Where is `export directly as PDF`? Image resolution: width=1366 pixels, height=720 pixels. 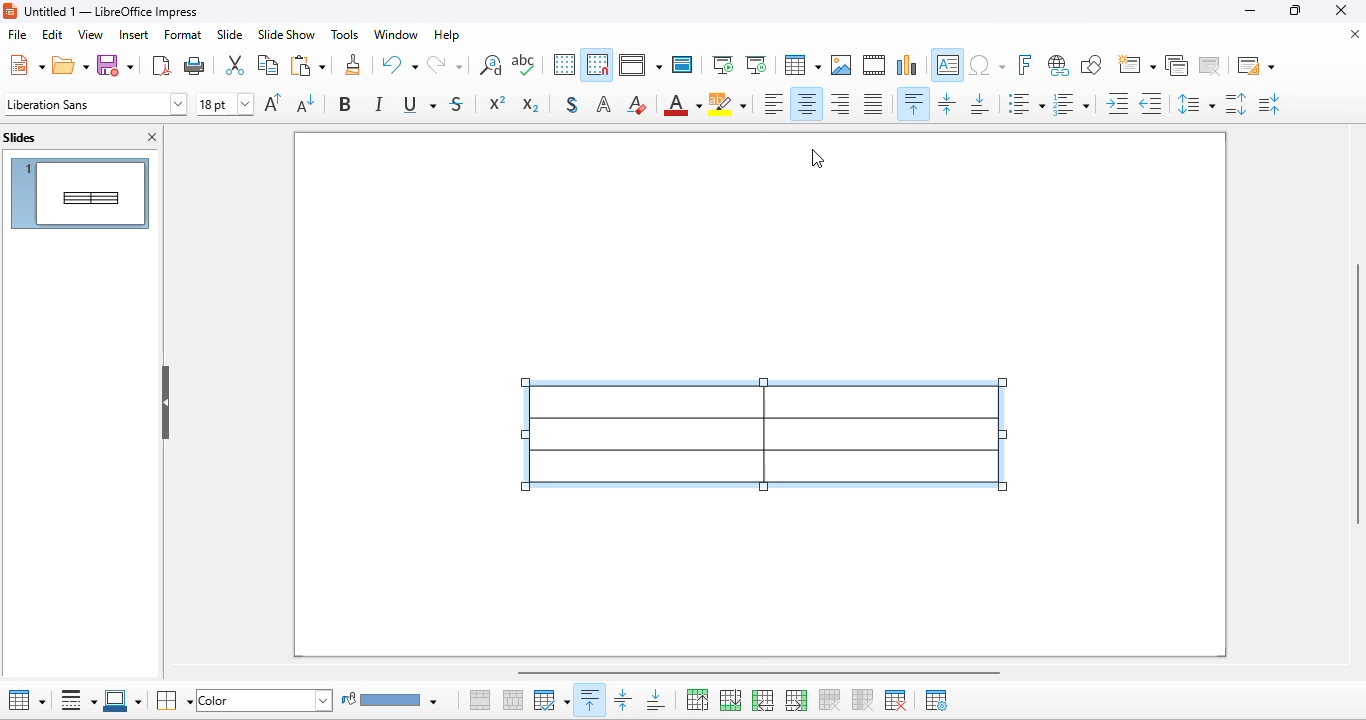
export directly as PDF is located at coordinates (161, 65).